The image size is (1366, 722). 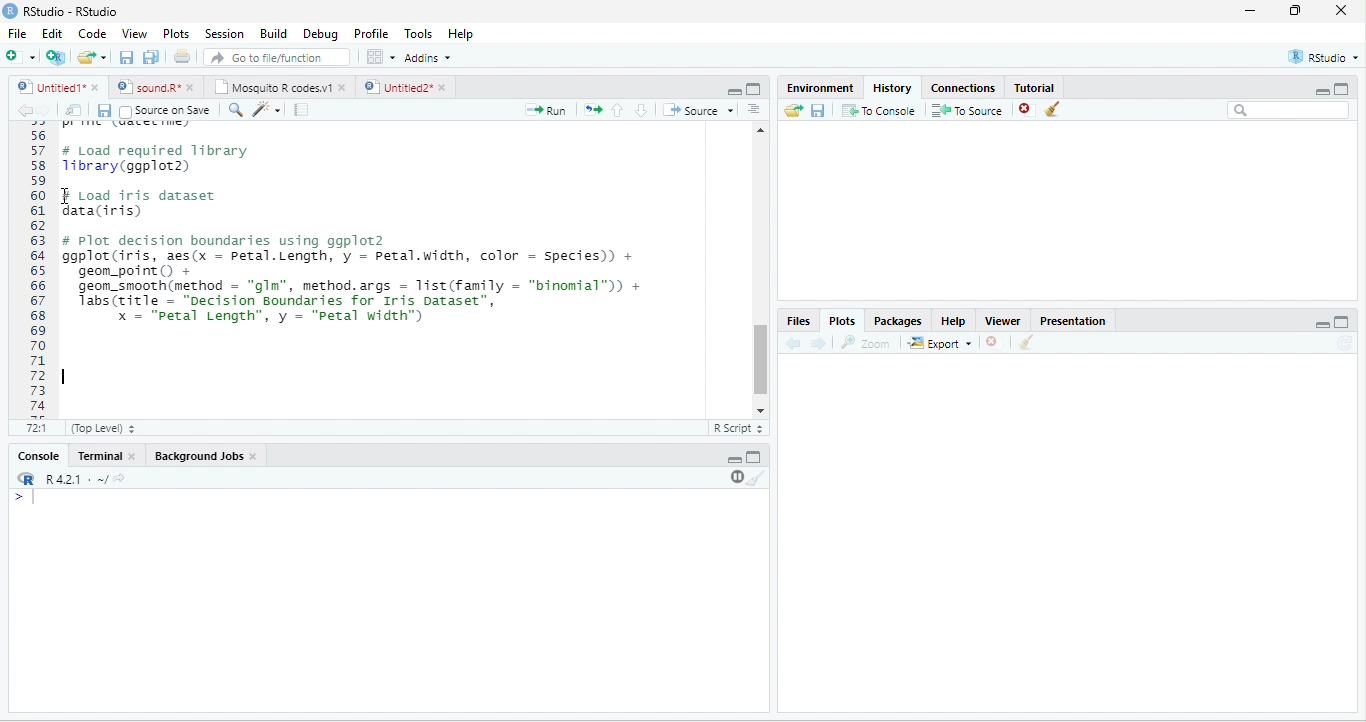 What do you see at coordinates (20, 56) in the screenshot?
I see `new file` at bounding box center [20, 56].